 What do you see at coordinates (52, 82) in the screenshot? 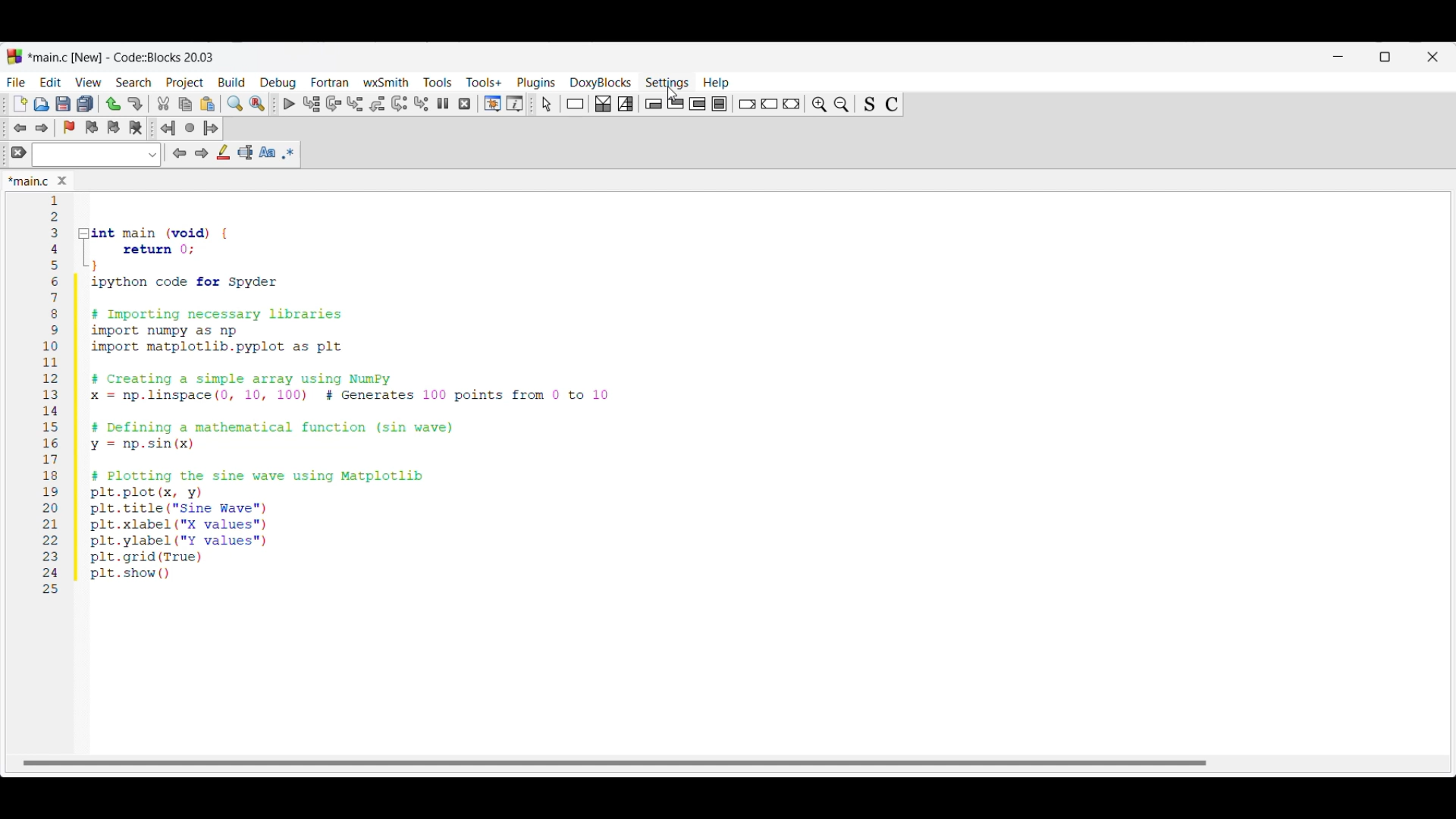
I see `Edit menu` at bounding box center [52, 82].